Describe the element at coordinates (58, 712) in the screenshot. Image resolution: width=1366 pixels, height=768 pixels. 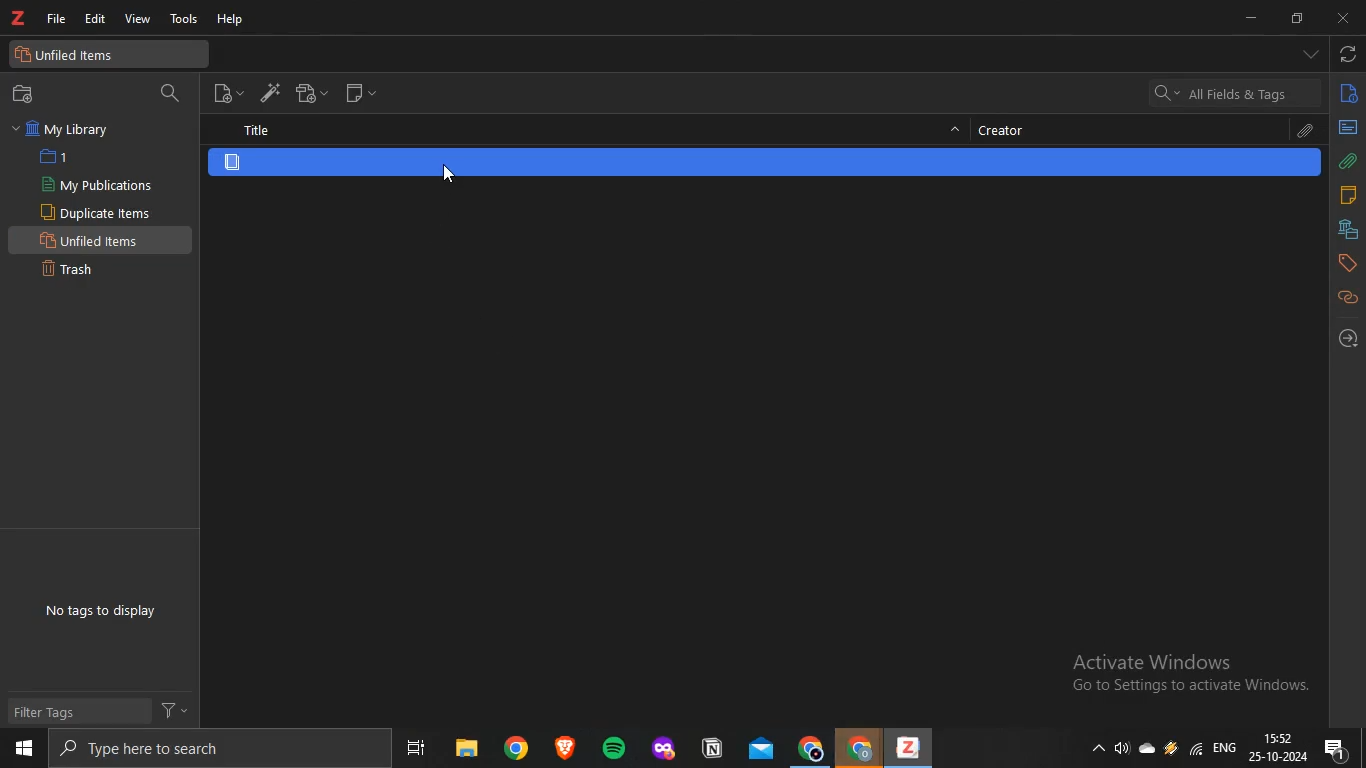
I see `Filter Tags` at that location.